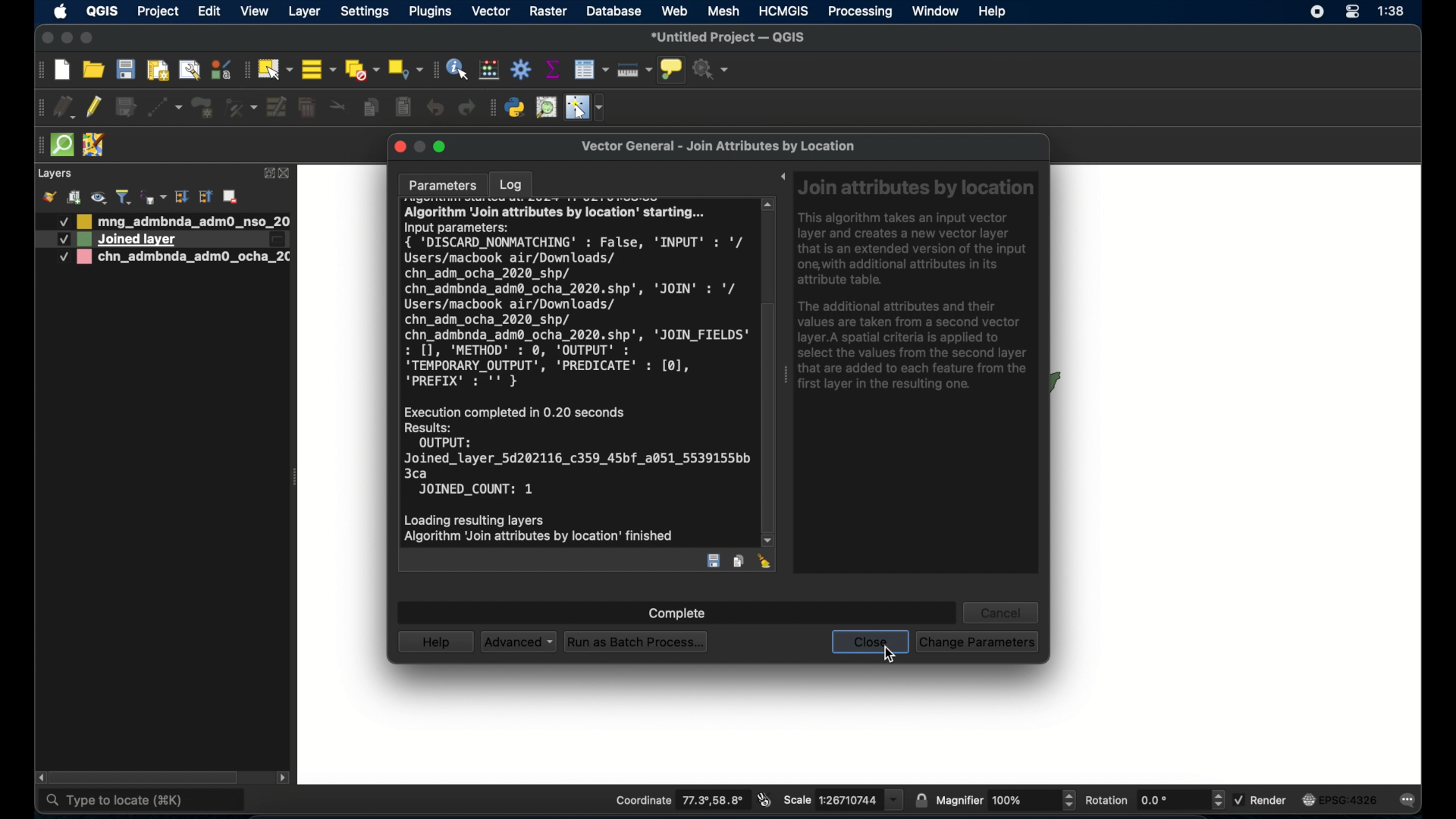  Describe the element at coordinates (1394, 12) in the screenshot. I see `time` at that location.